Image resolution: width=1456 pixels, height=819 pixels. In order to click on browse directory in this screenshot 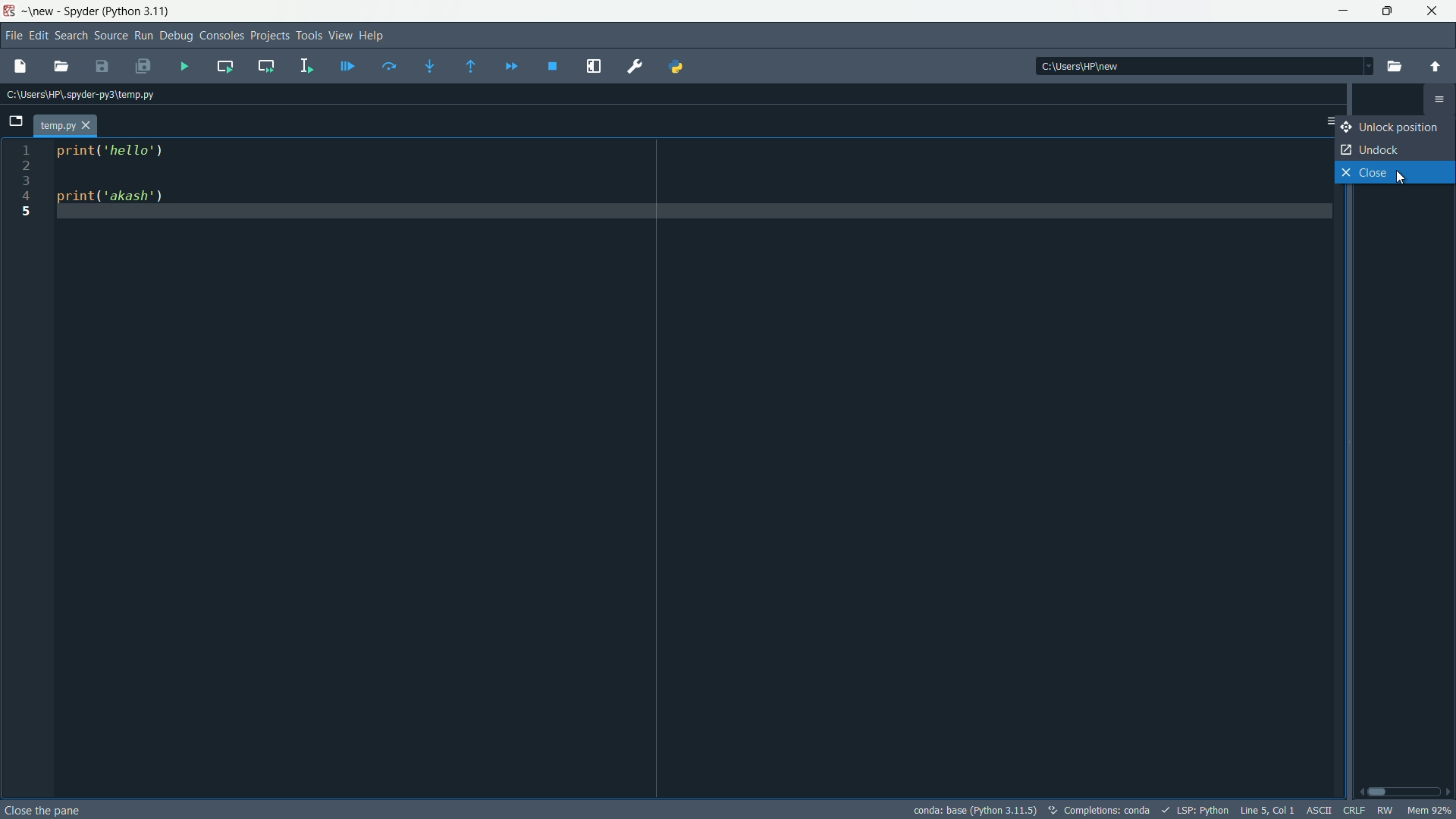, I will do `click(1392, 66)`.